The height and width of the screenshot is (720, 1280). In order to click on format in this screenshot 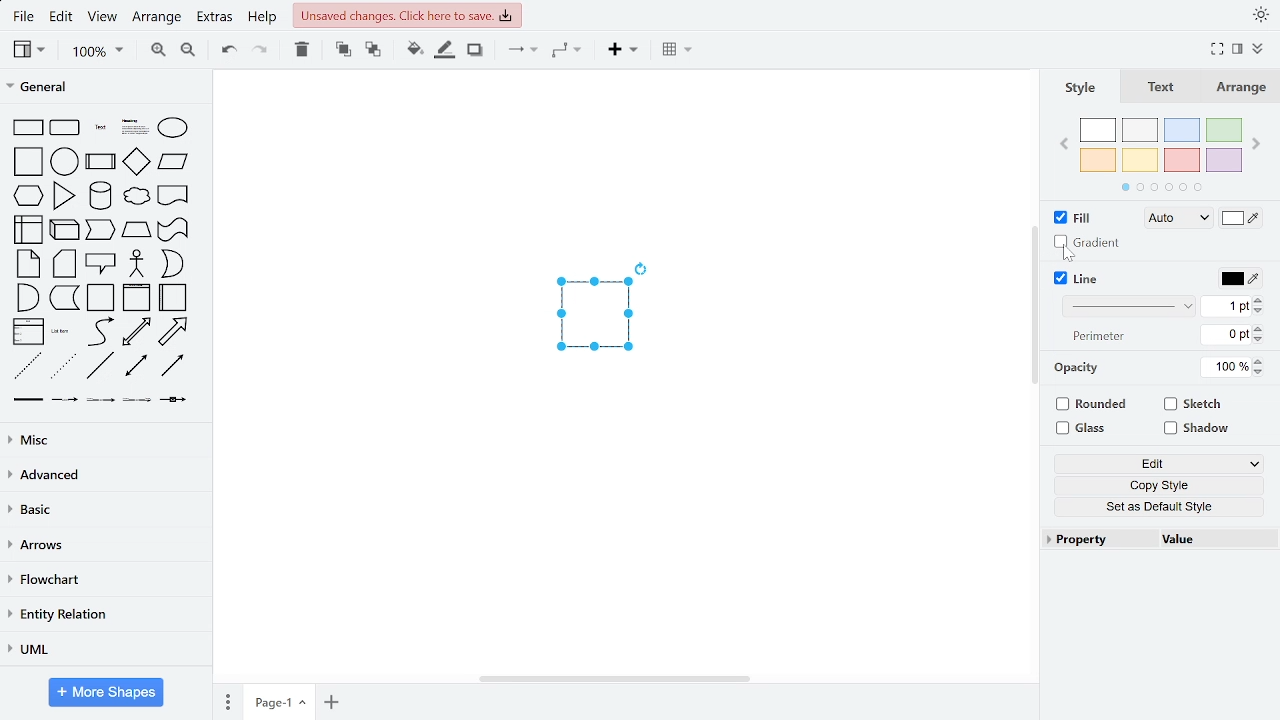, I will do `click(1238, 49)`.